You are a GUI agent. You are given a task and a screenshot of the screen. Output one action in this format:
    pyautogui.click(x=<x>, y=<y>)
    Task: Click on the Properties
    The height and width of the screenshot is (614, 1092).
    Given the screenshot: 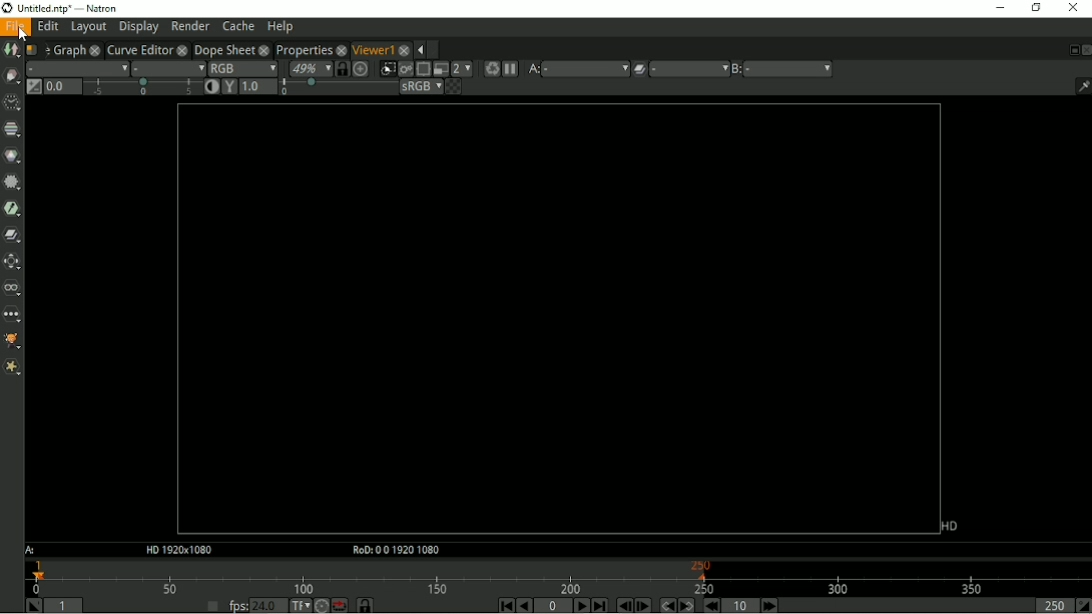 What is the action you would take?
    pyautogui.click(x=302, y=48)
    